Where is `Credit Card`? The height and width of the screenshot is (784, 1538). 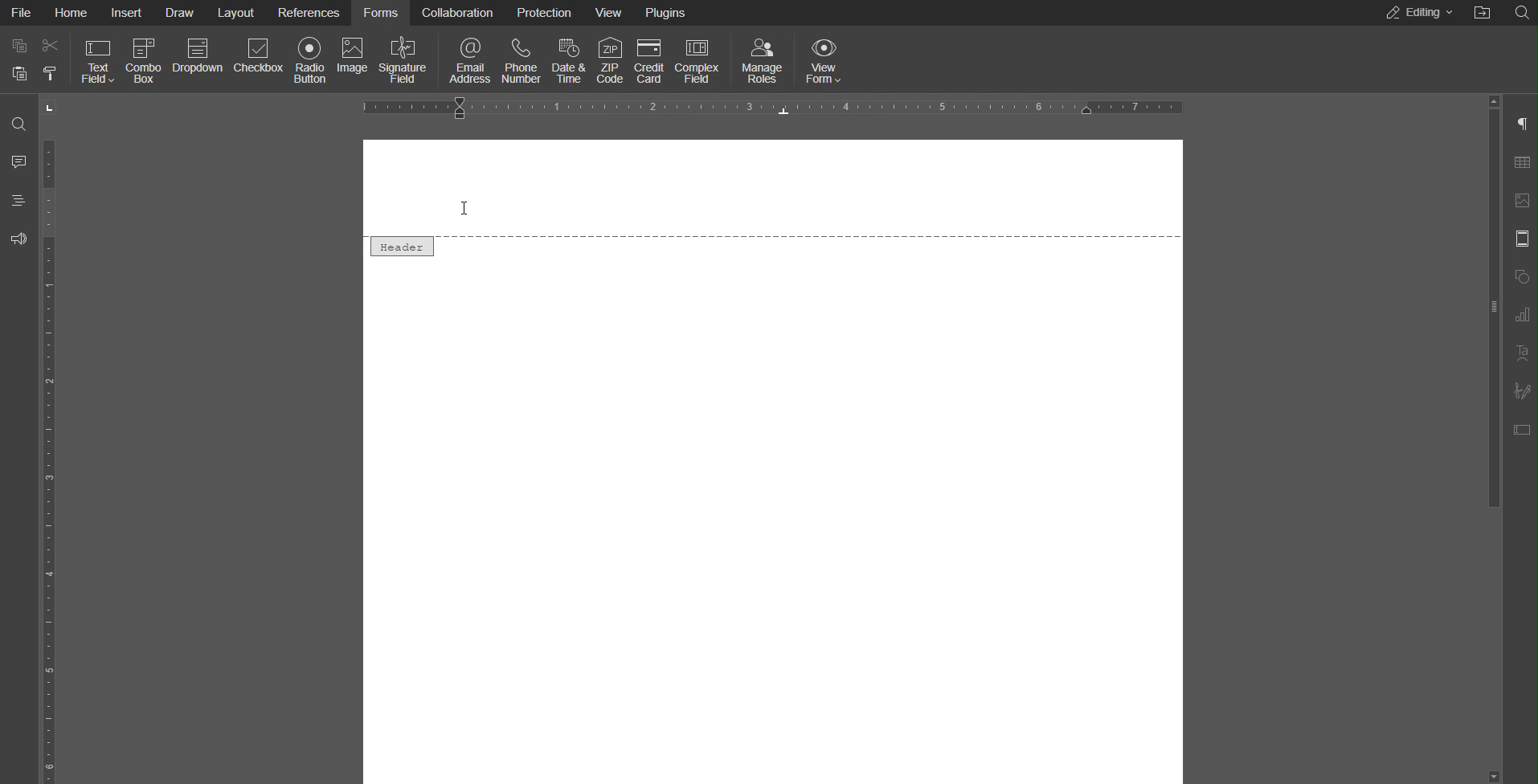 Credit Card is located at coordinates (648, 58).